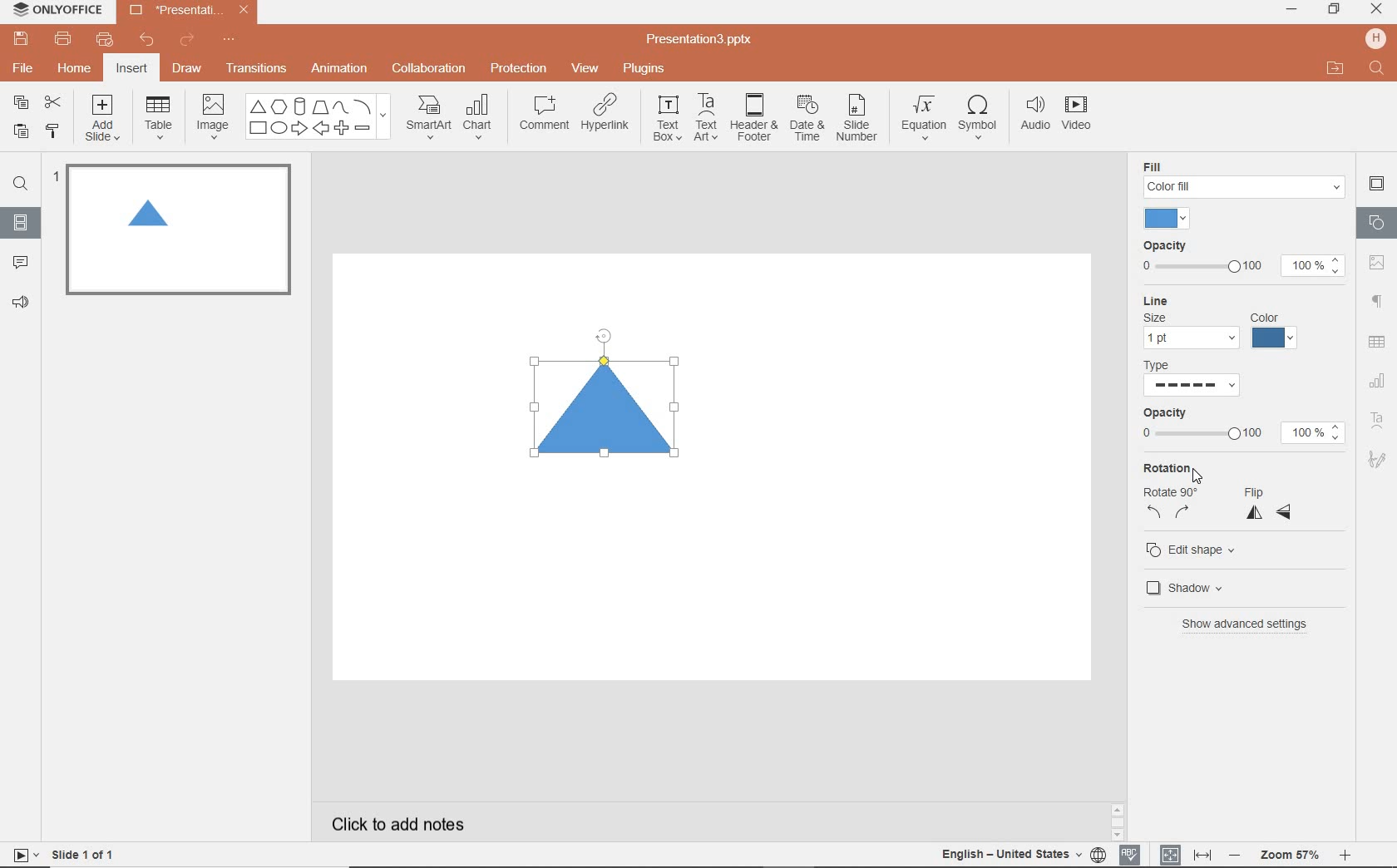 The image size is (1397, 868). Describe the element at coordinates (858, 121) in the screenshot. I see `SLIDE NUMBER` at that location.